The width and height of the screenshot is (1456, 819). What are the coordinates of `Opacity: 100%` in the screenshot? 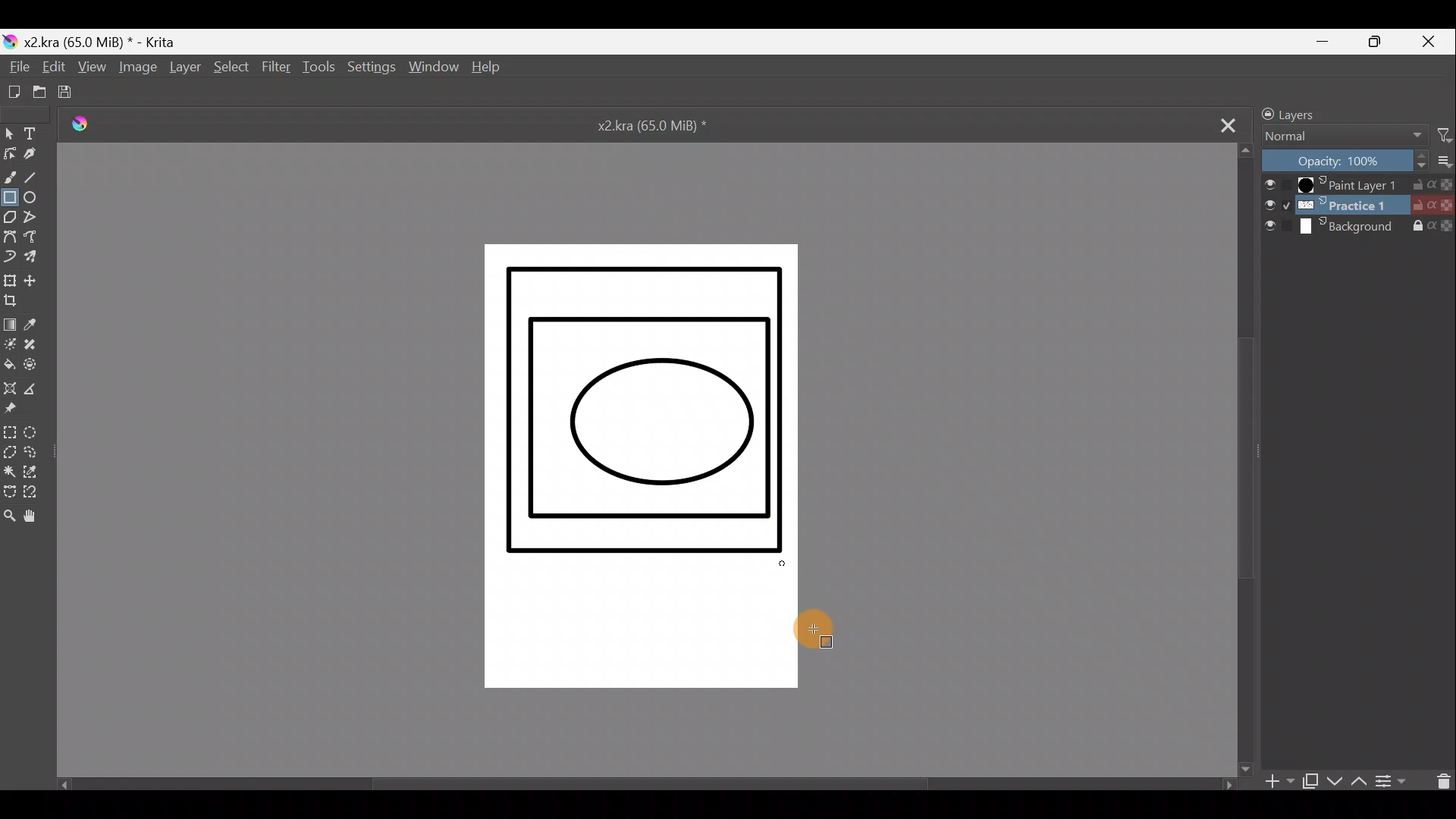 It's located at (1346, 160).